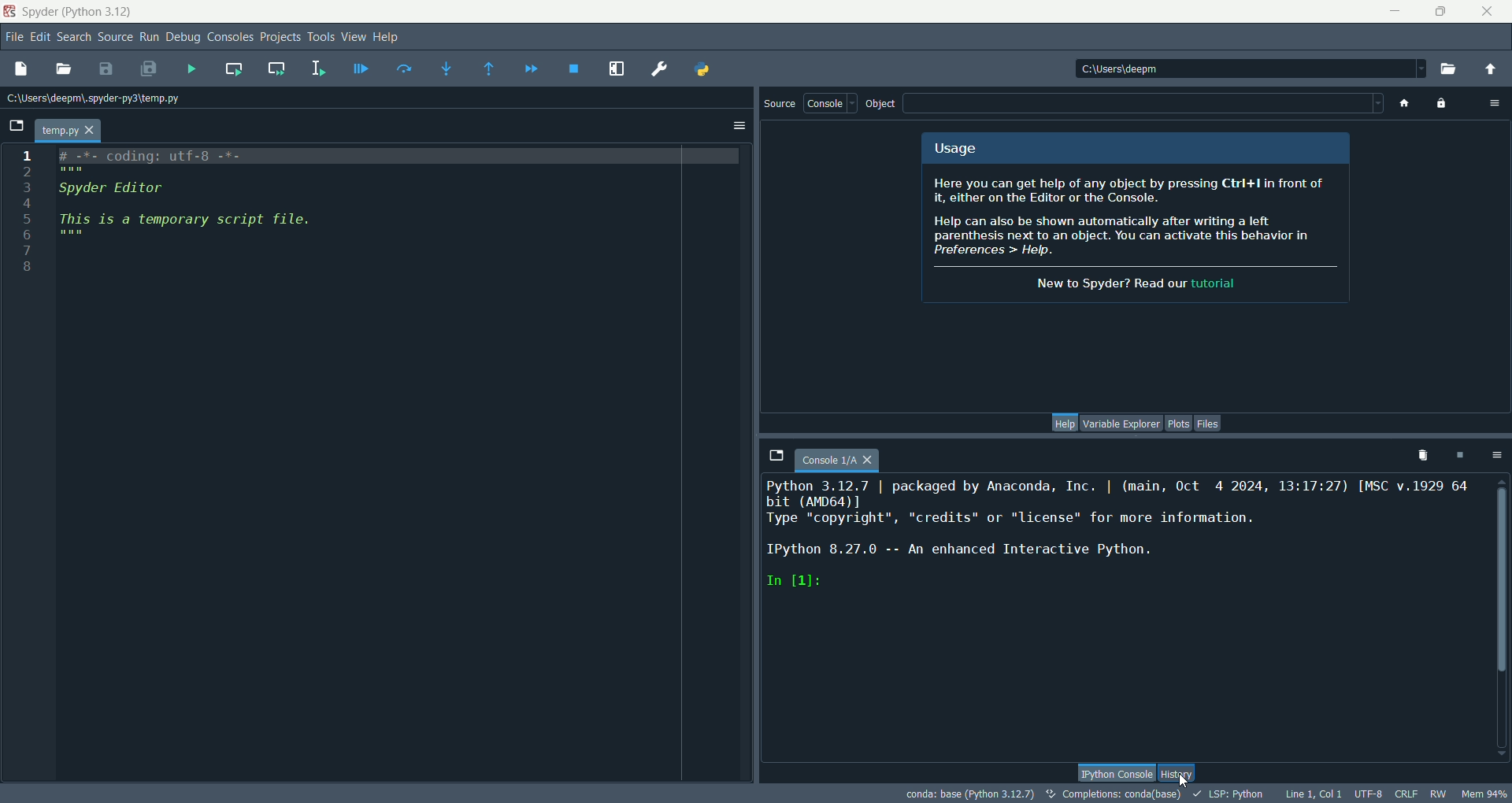 The width and height of the screenshot is (1512, 803). What do you see at coordinates (739, 128) in the screenshot?
I see `options` at bounding box center [739, 128].